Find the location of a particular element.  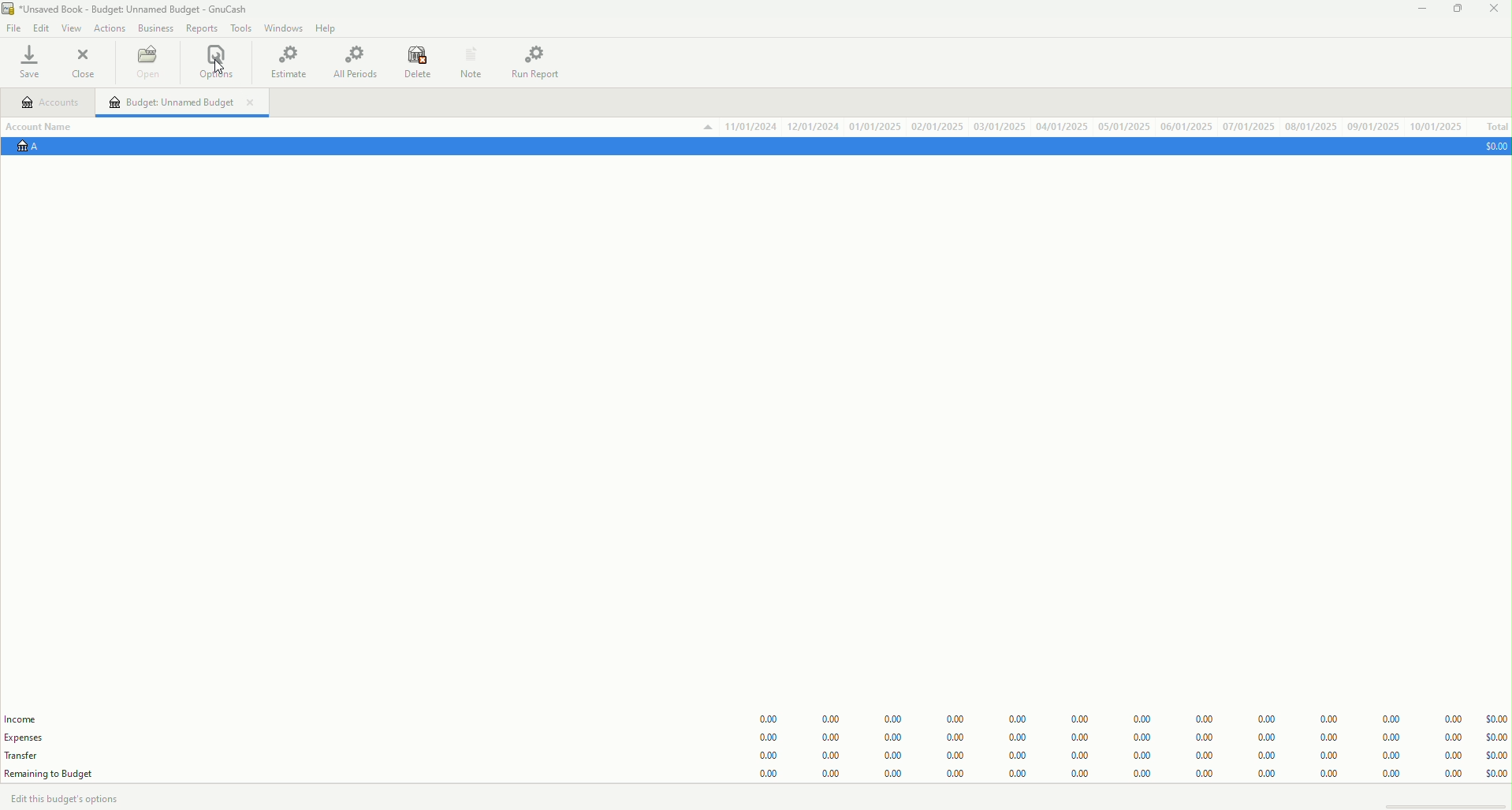

Estimate is located at coordinates (290, 61).